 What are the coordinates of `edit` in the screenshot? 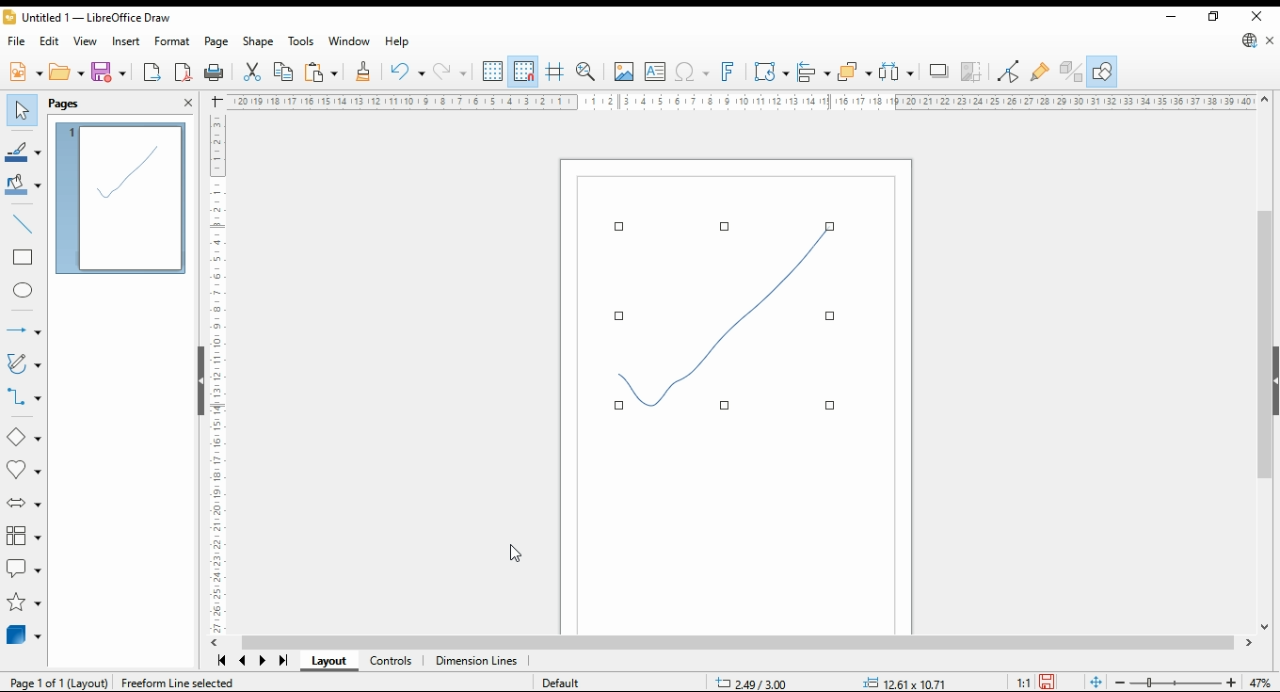 It's located at (50, 41).